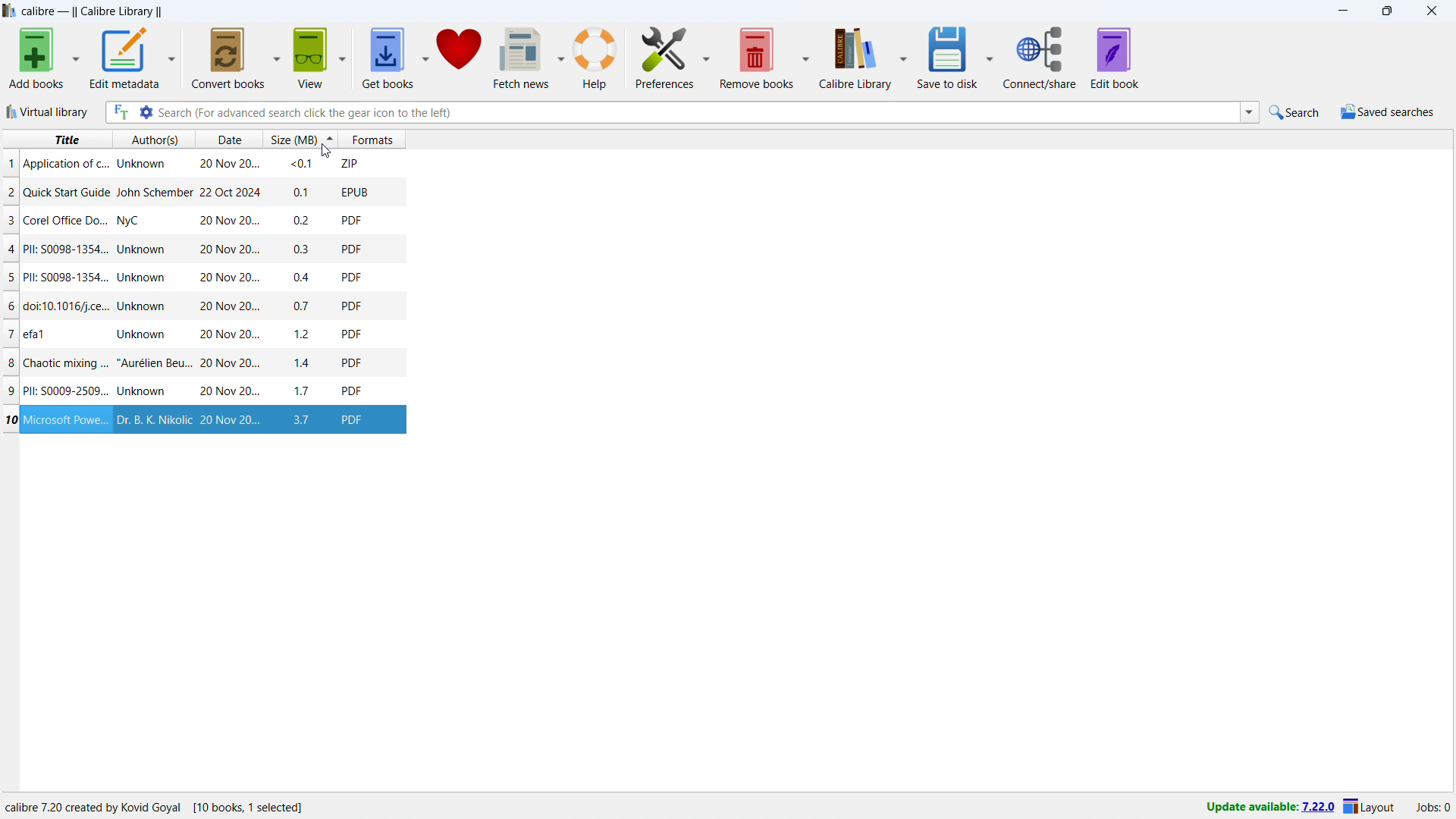 This screenshot has width=1456, height=819. What do you see at coordinates (352, 389) in the screenshot?
I see `PDF` at bounding box center [352, 389].